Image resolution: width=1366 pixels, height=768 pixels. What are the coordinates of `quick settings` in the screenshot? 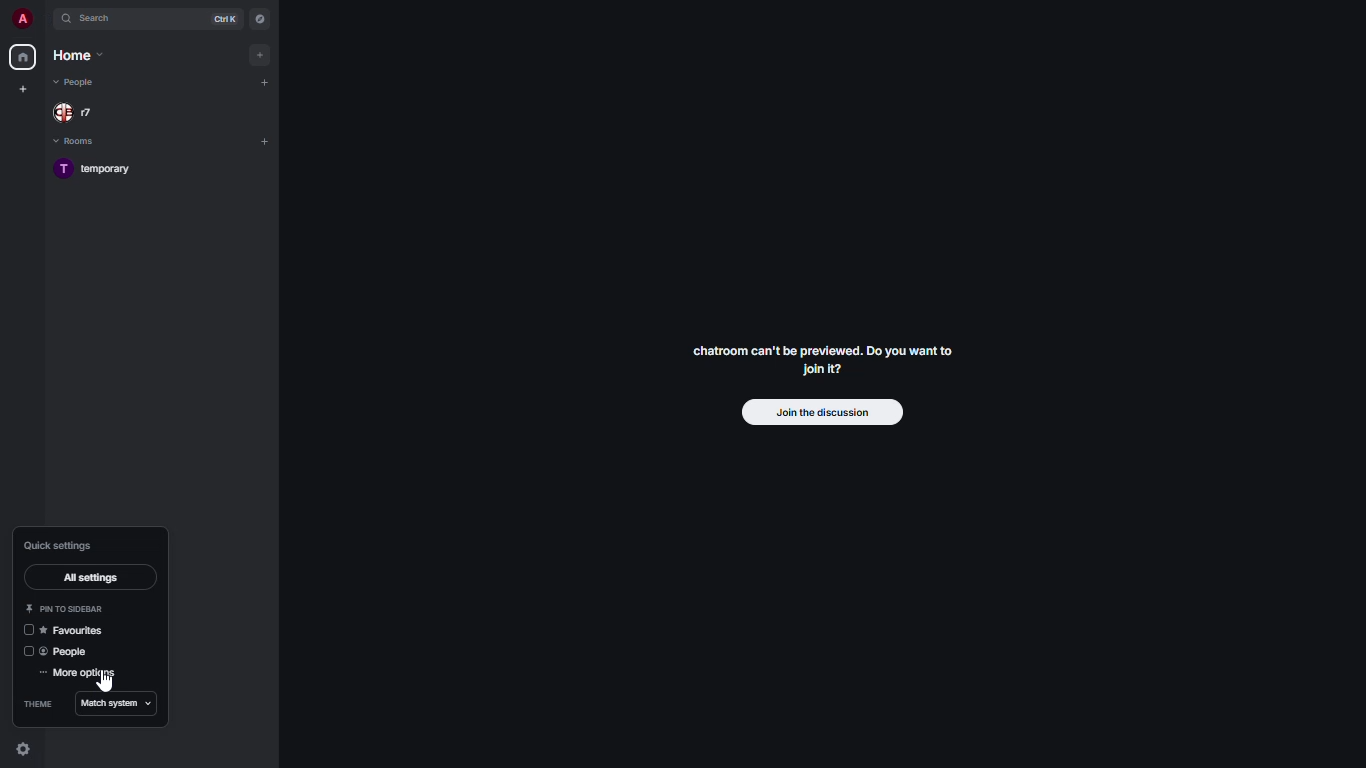 It's located at (58, 544).